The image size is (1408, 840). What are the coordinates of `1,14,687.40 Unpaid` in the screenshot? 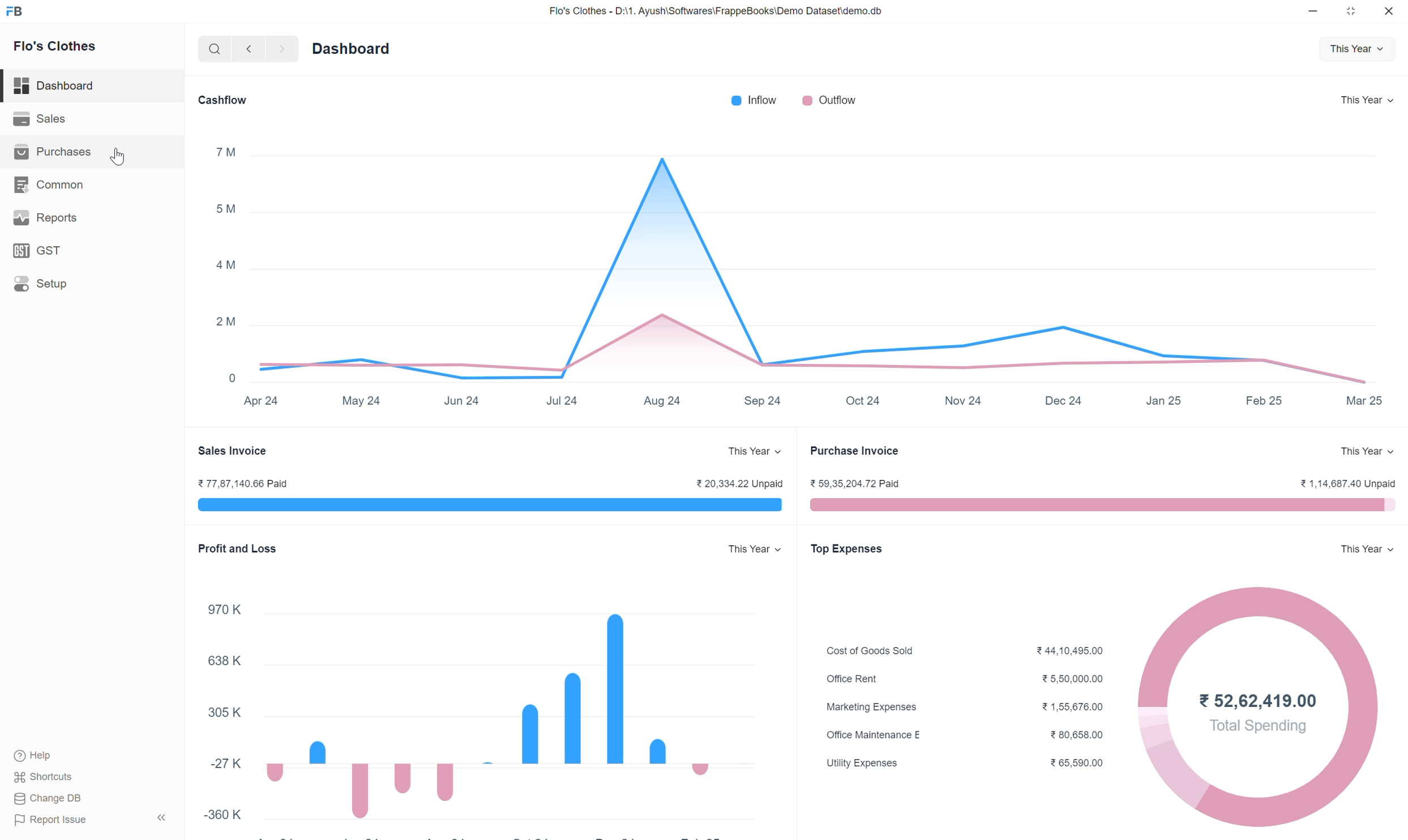 It's located at (1350, 483).